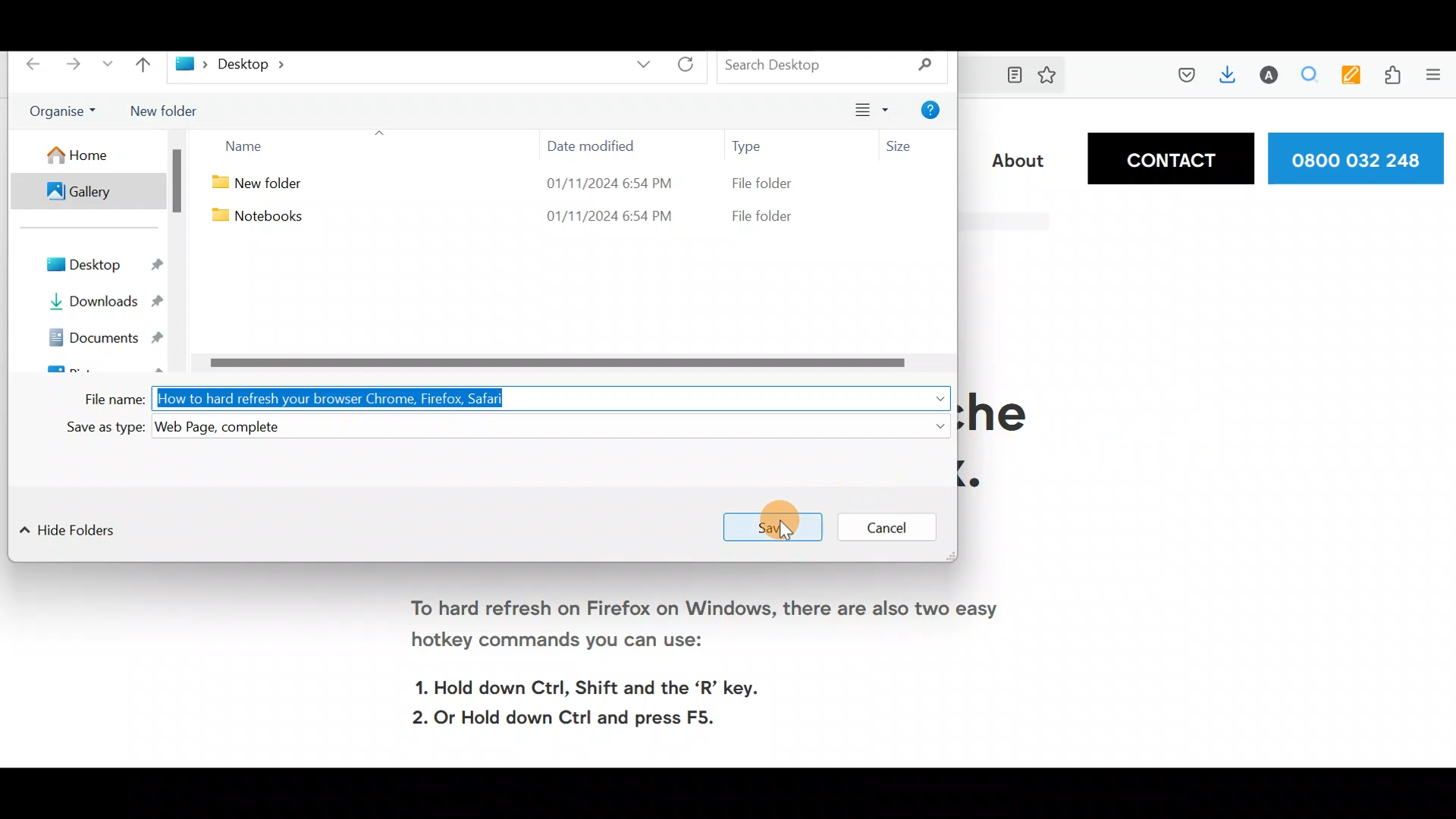 This screenshot has height=819, width=1456. What do you see at coordinates (600, 146) in the screenshot?
I see `Date modified` at bounding box center [600, 146].